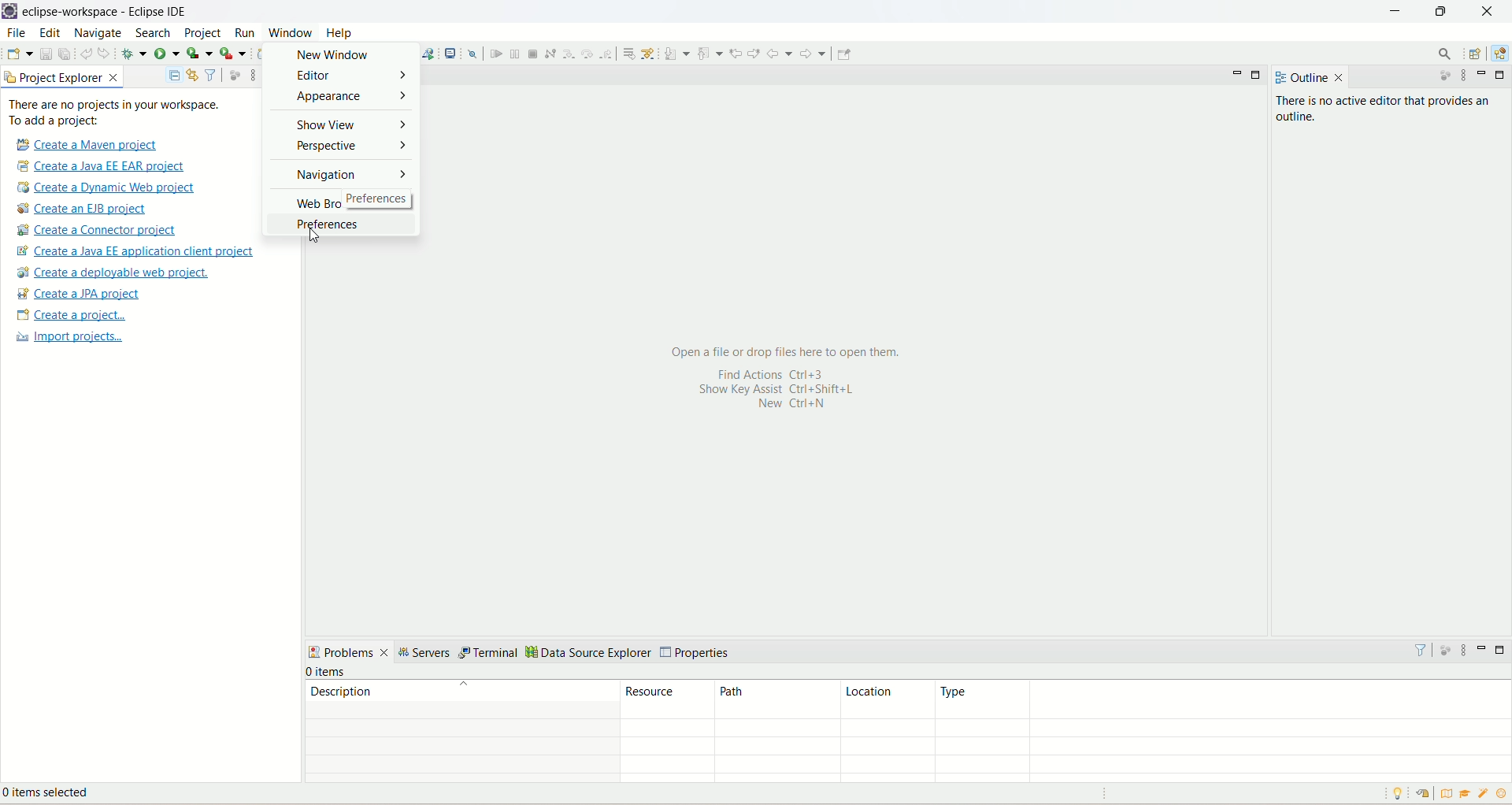  I want to click on minimize, so click(1395, 13).